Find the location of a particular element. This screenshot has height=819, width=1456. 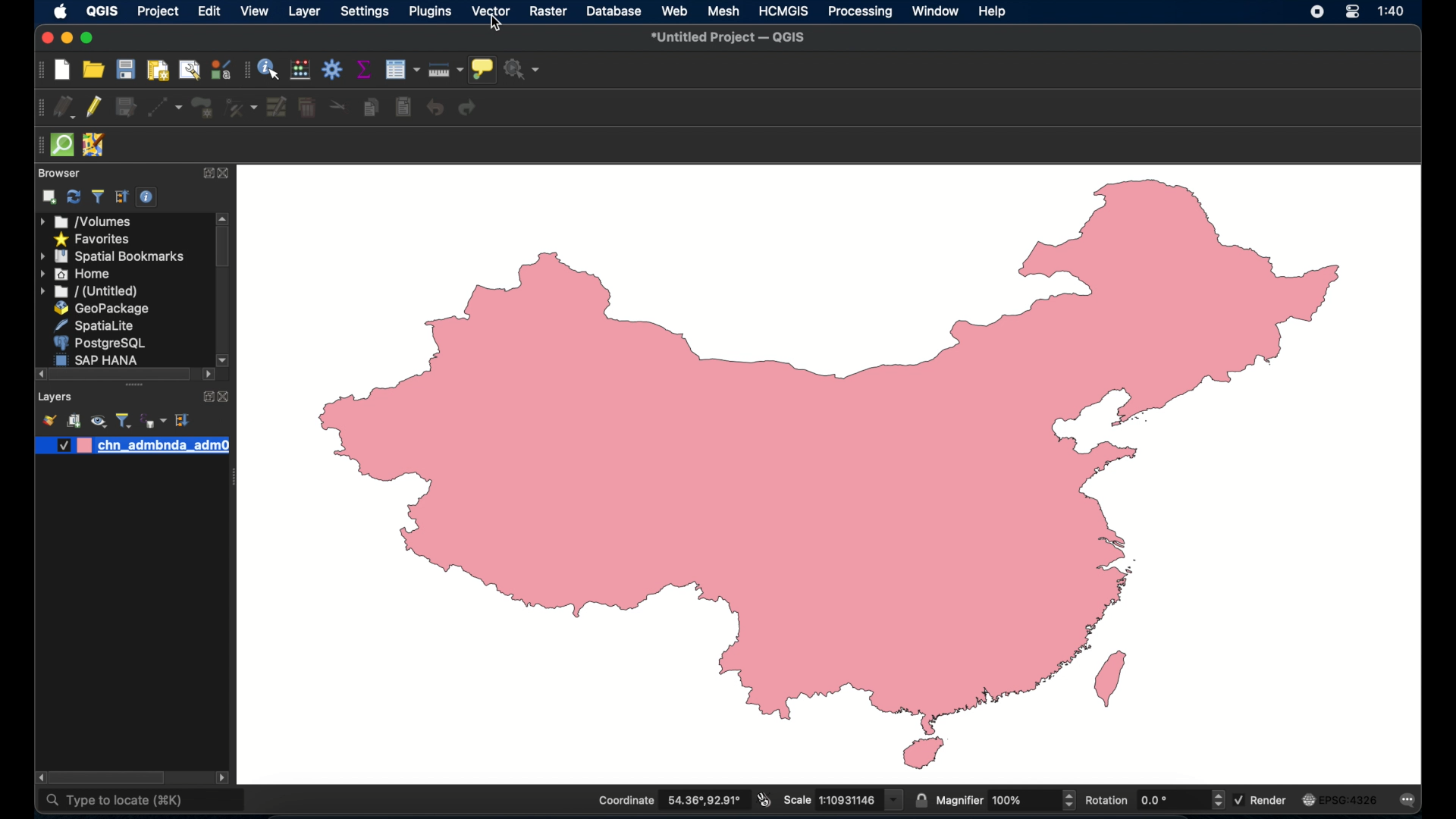

processing  is located at coordinates (861, 12).